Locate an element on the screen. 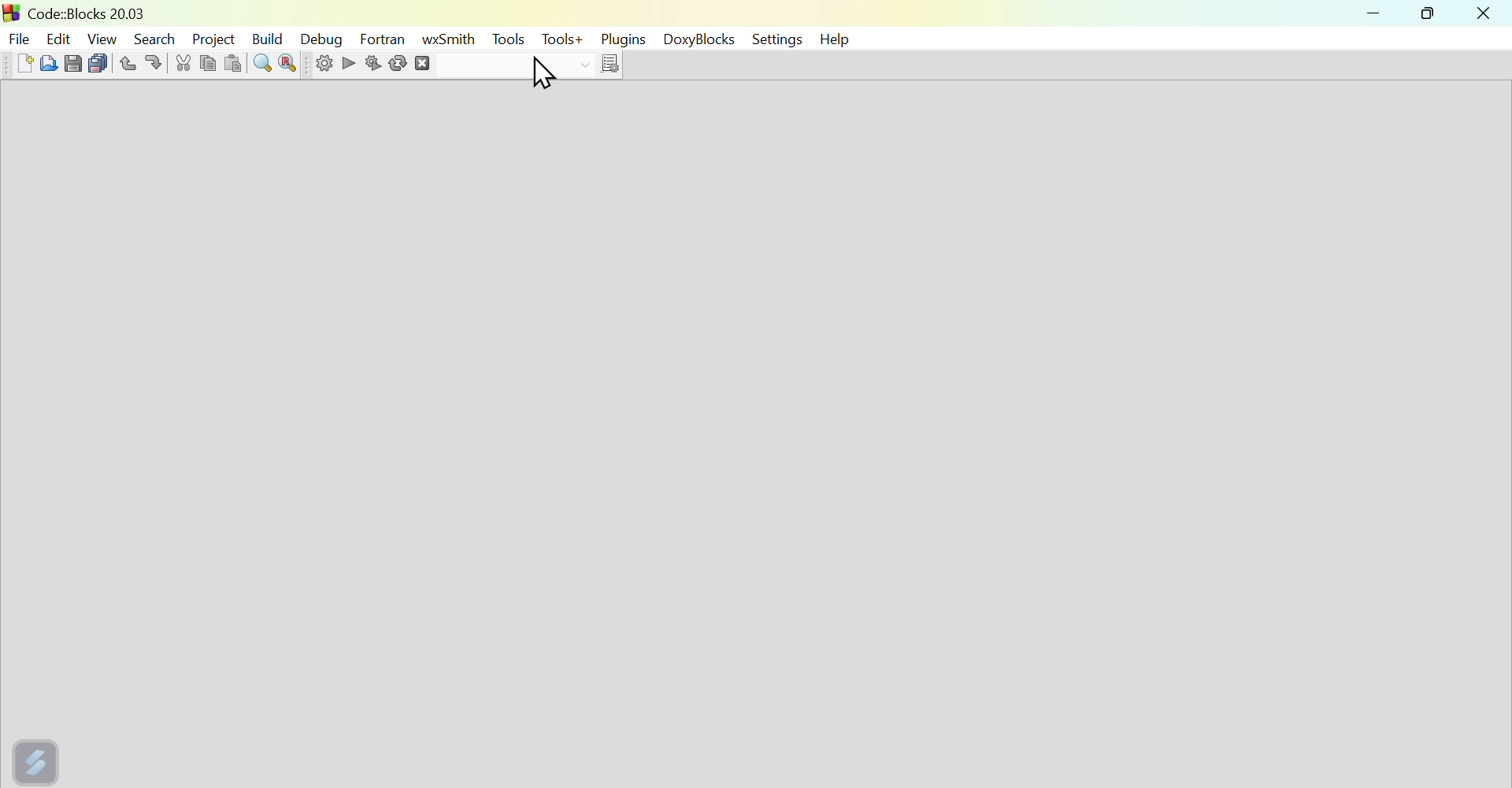 This screenshot has height=788, width=1512.  is located at coordinates (287, 65).